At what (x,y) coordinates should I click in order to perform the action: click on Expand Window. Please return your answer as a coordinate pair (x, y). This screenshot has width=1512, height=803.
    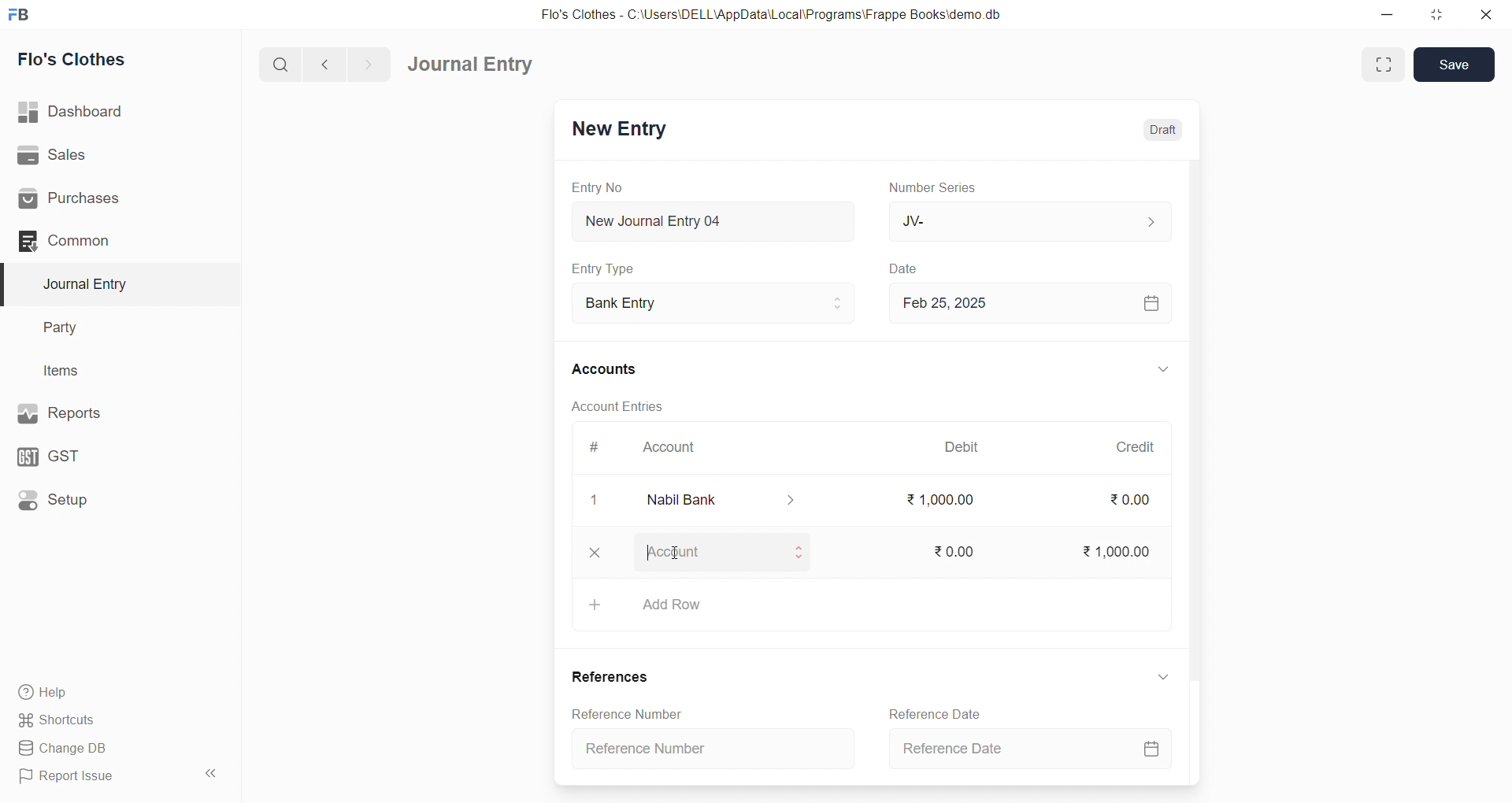
    Looking at the image, I should click on (1384, 65).